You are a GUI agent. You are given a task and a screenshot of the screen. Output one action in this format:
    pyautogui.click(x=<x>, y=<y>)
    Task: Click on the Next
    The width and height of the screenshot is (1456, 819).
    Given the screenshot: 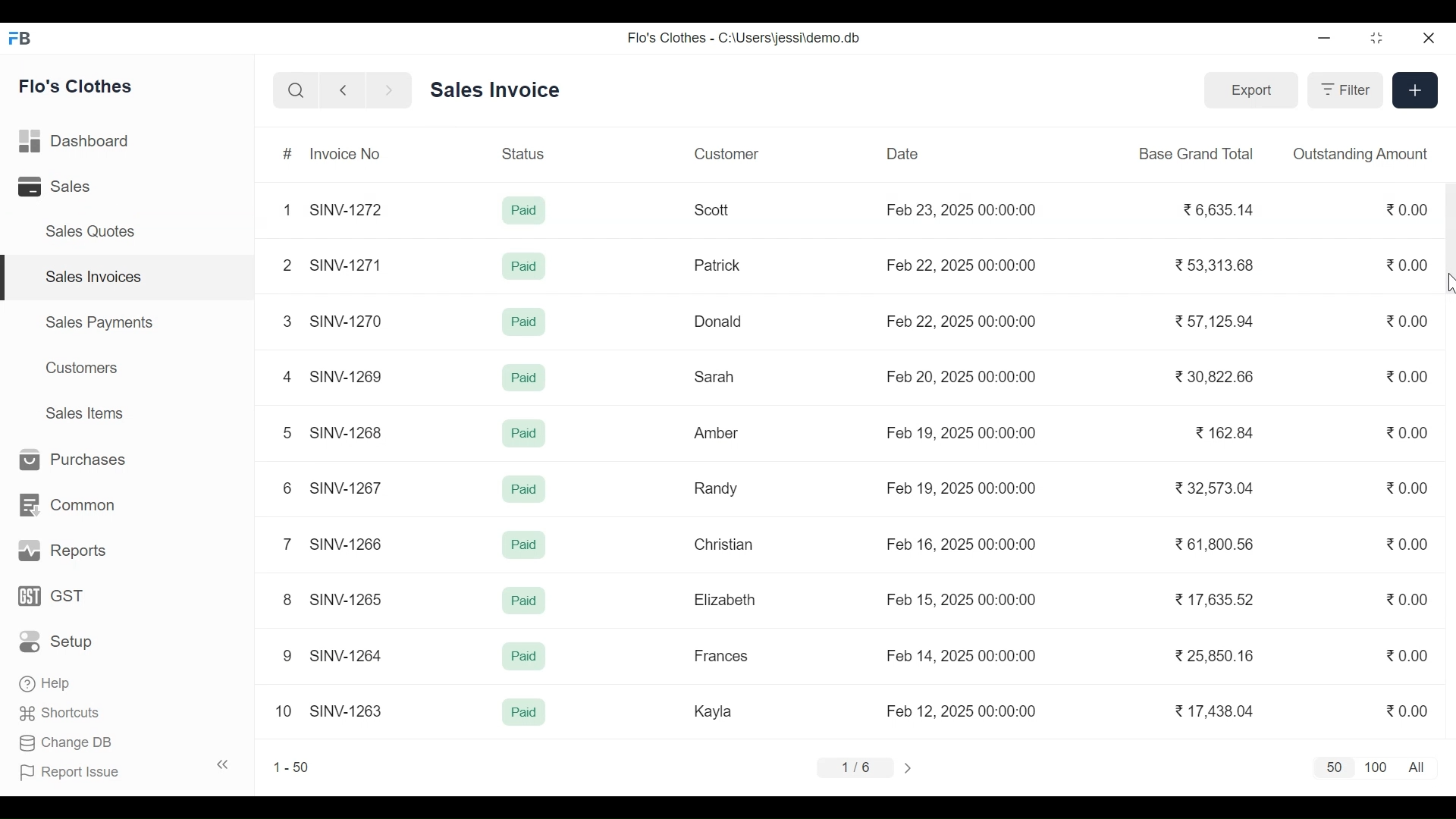 What is the action you would take?
    pyautogui.click(x=911, y=767)
    